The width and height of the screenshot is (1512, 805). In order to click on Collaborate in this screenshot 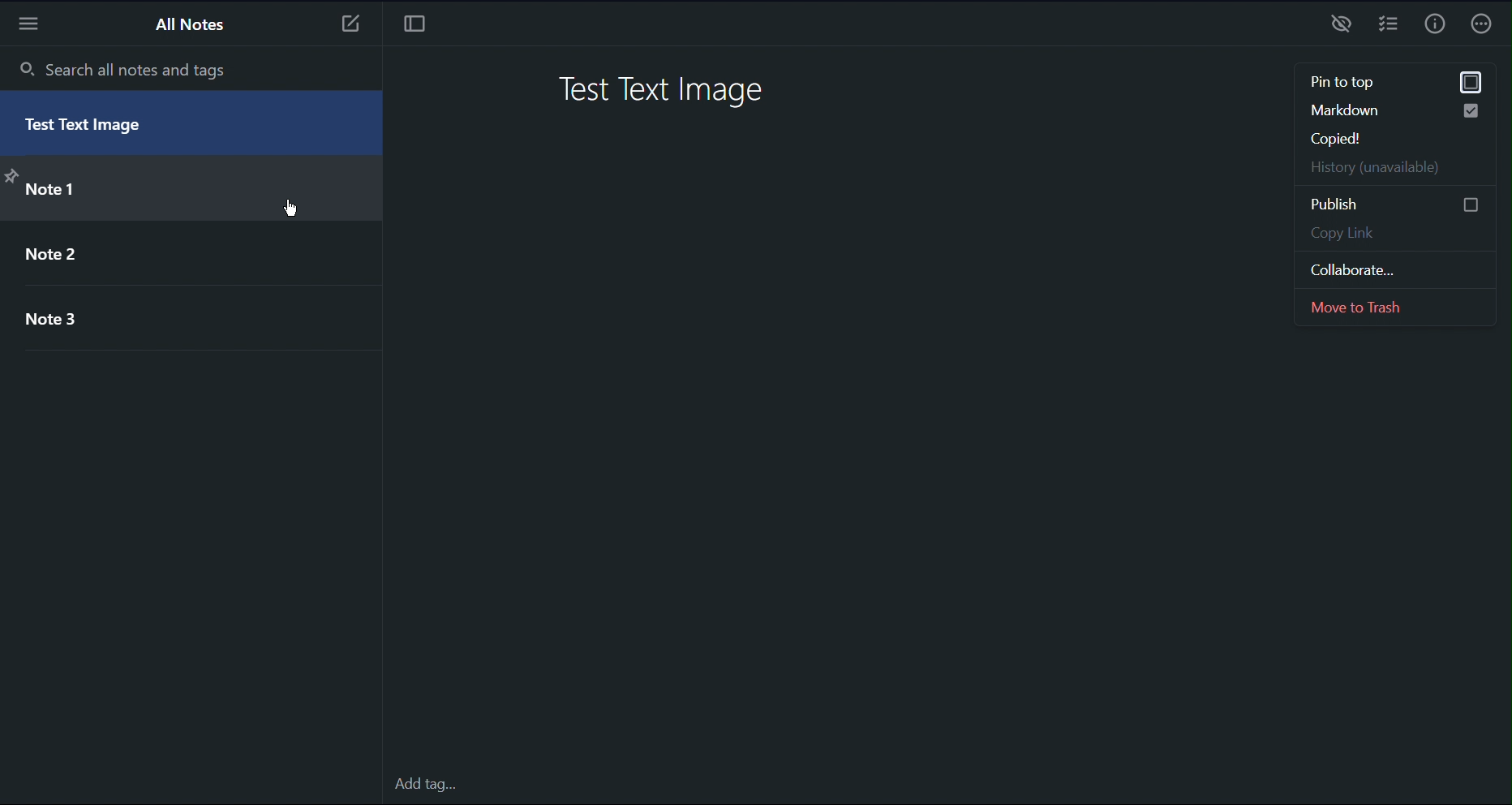, I will do `click(1394, 272)`.